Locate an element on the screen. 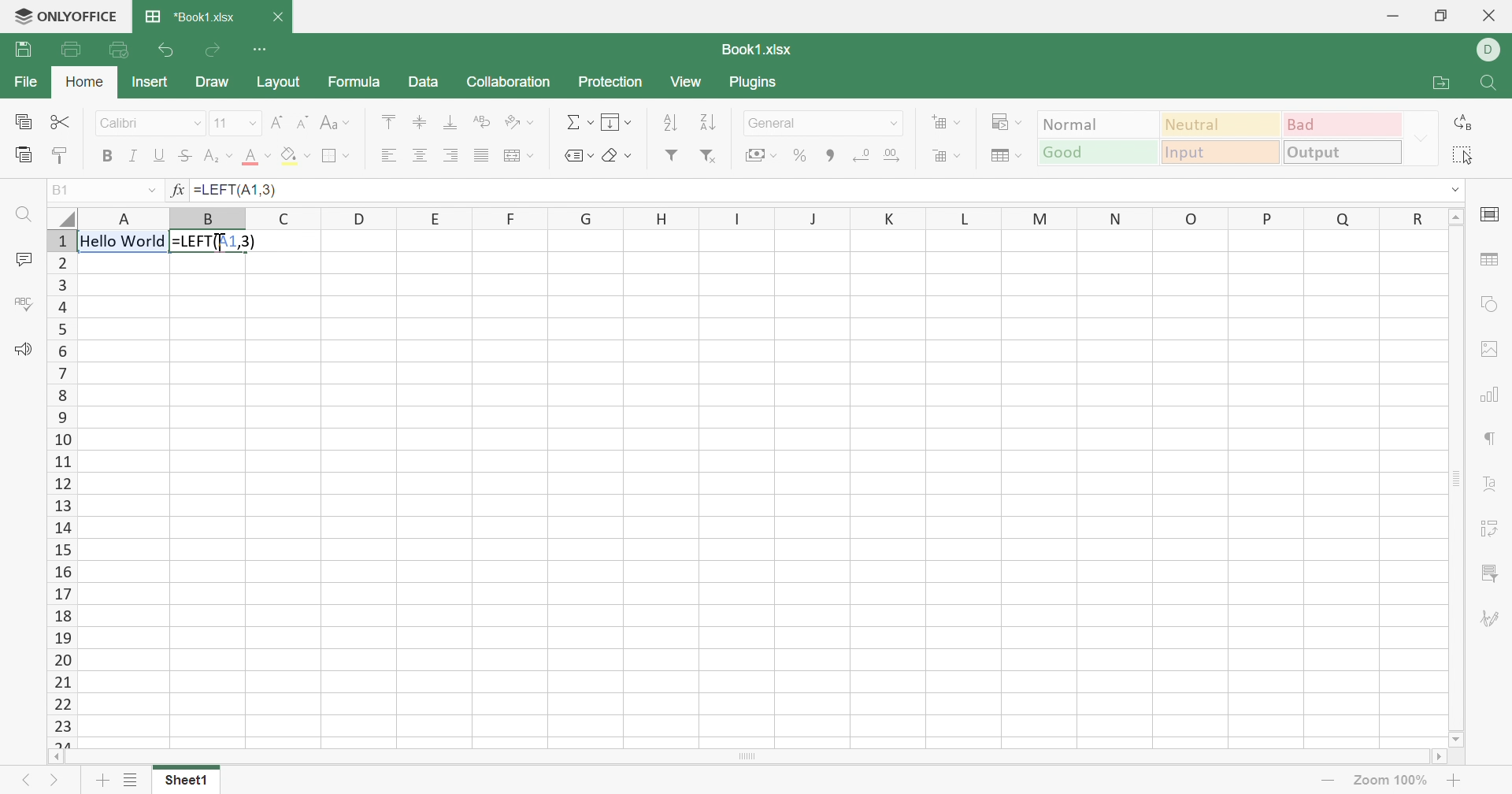  Formula is located at coordinates (352, 83).